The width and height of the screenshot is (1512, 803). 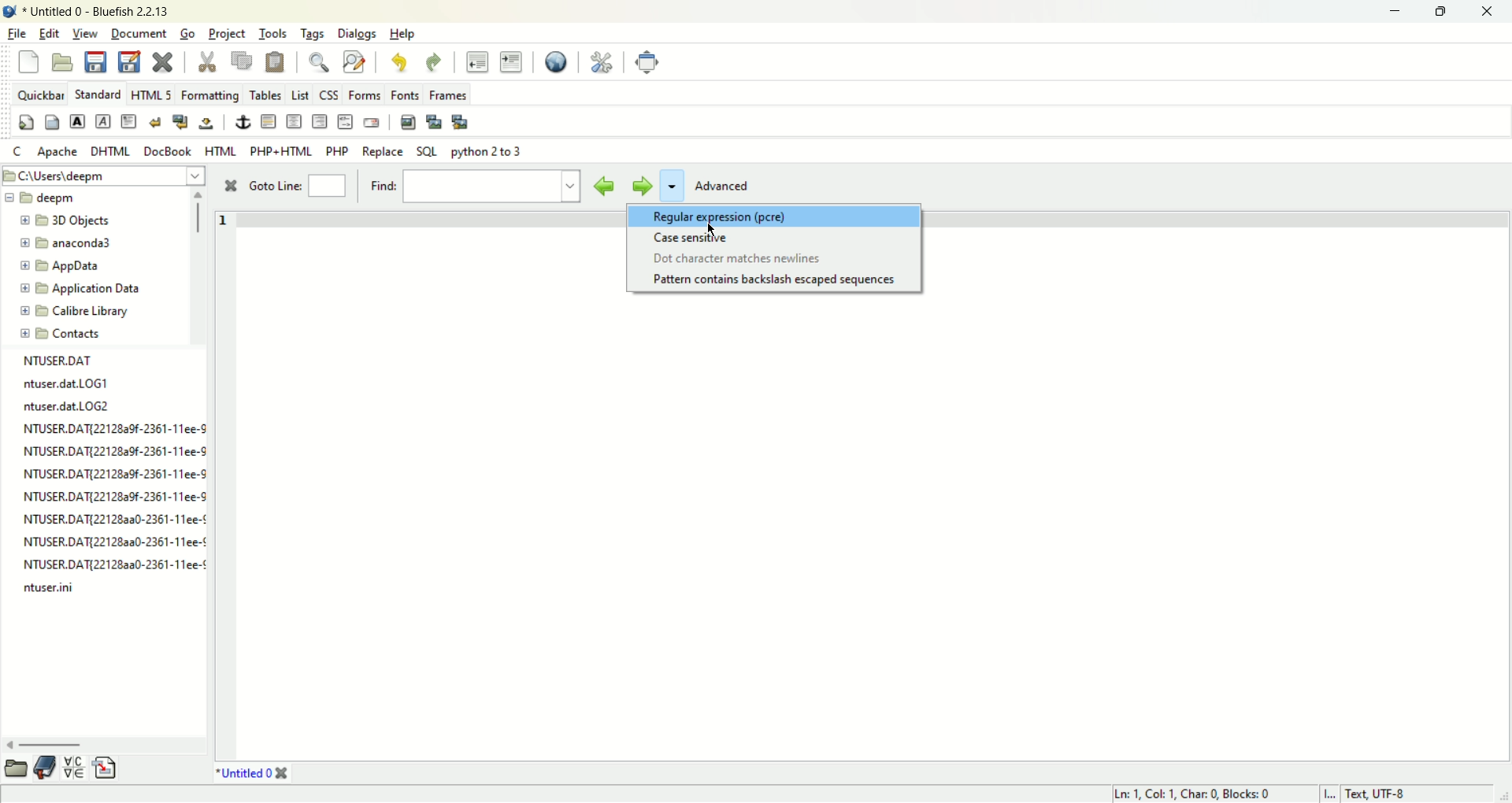 What do you see at coordinates (112, 496) in the screenshot?
I see `NTUSER.DAT{2212829f-2361-11ee-S` at bounding box center [112, 496].